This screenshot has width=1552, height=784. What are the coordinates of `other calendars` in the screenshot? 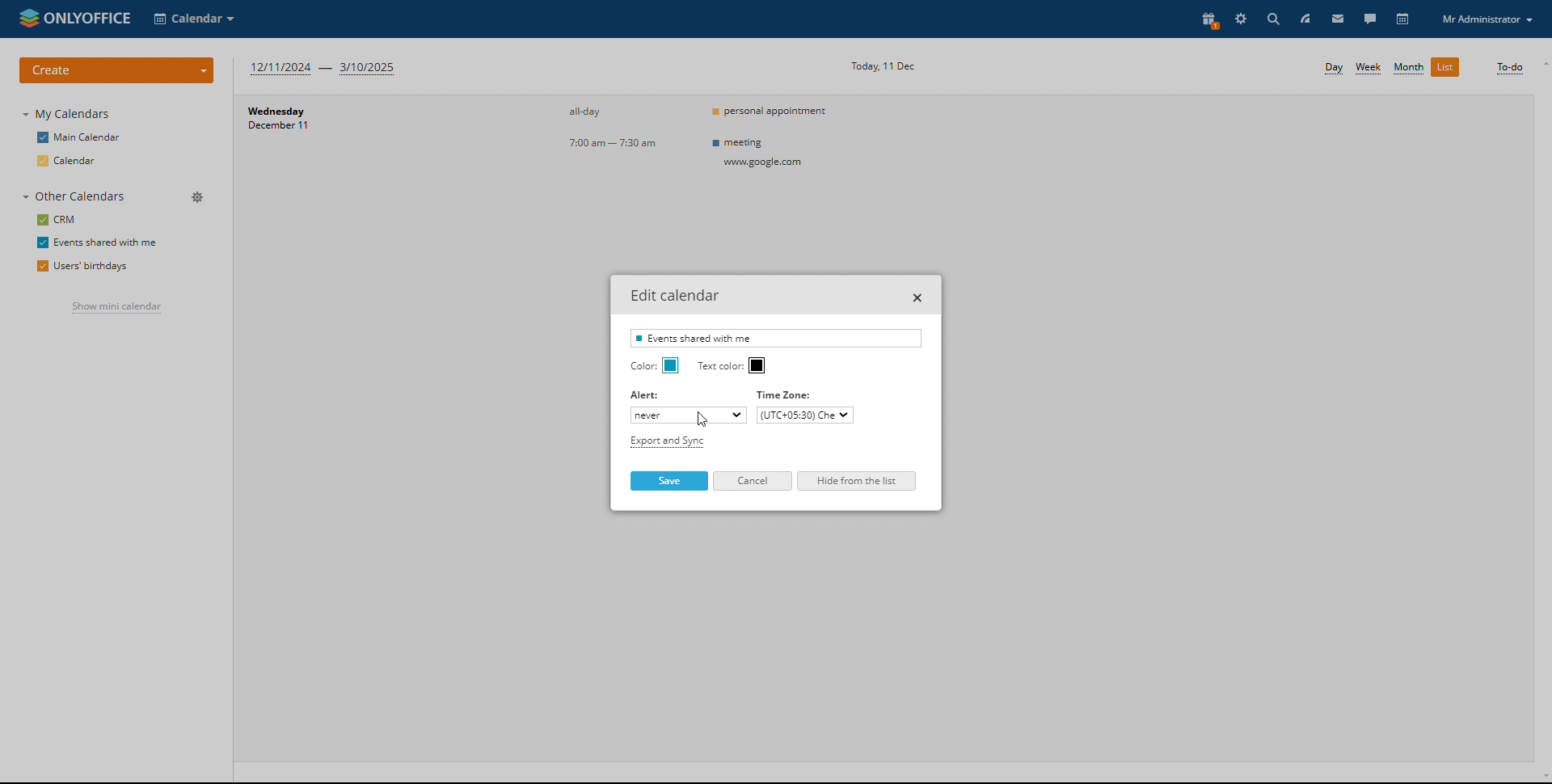 It's located at (75, 196).